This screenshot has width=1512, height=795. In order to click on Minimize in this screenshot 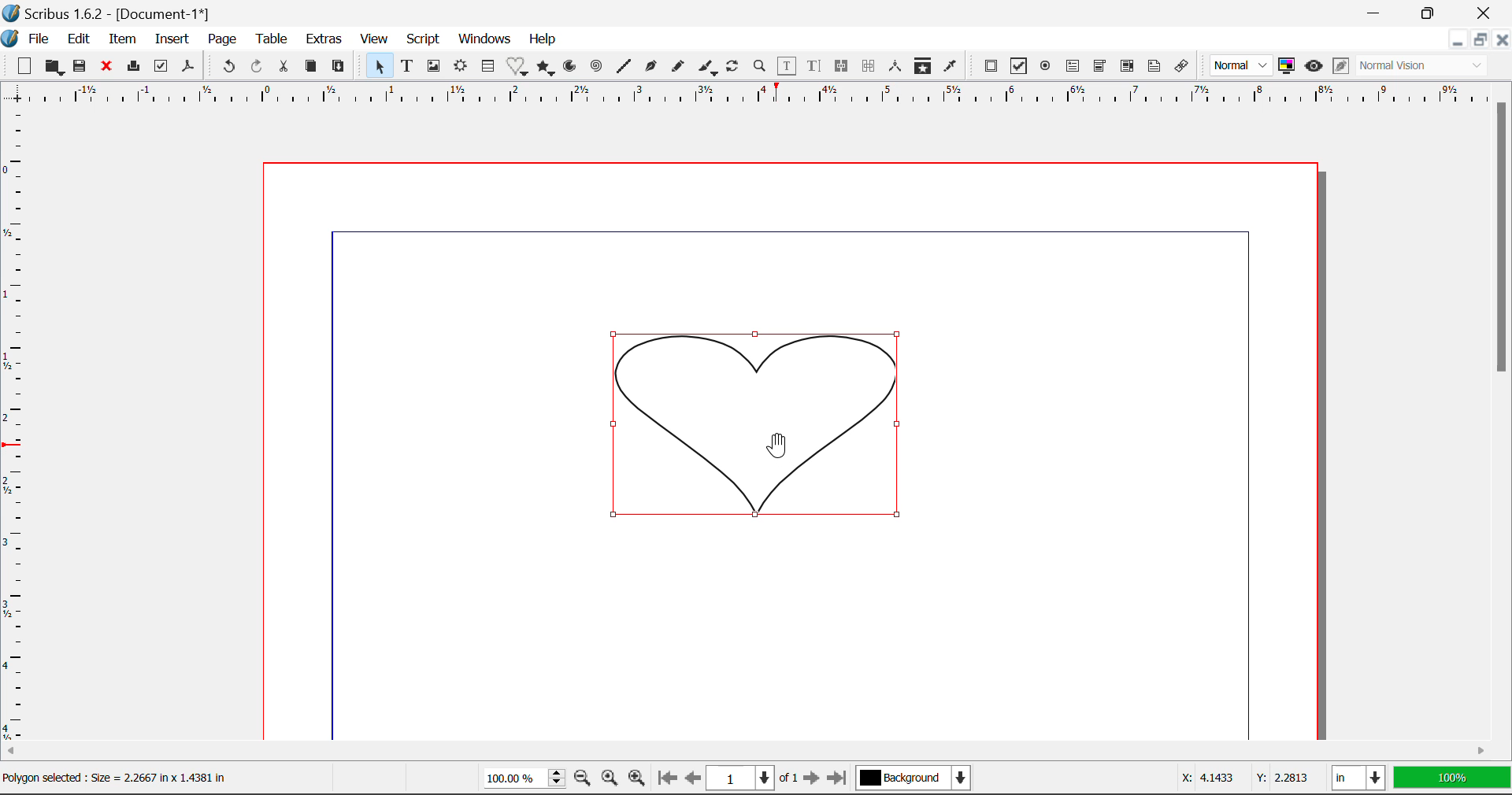, I will do `click(1482, 42)`.